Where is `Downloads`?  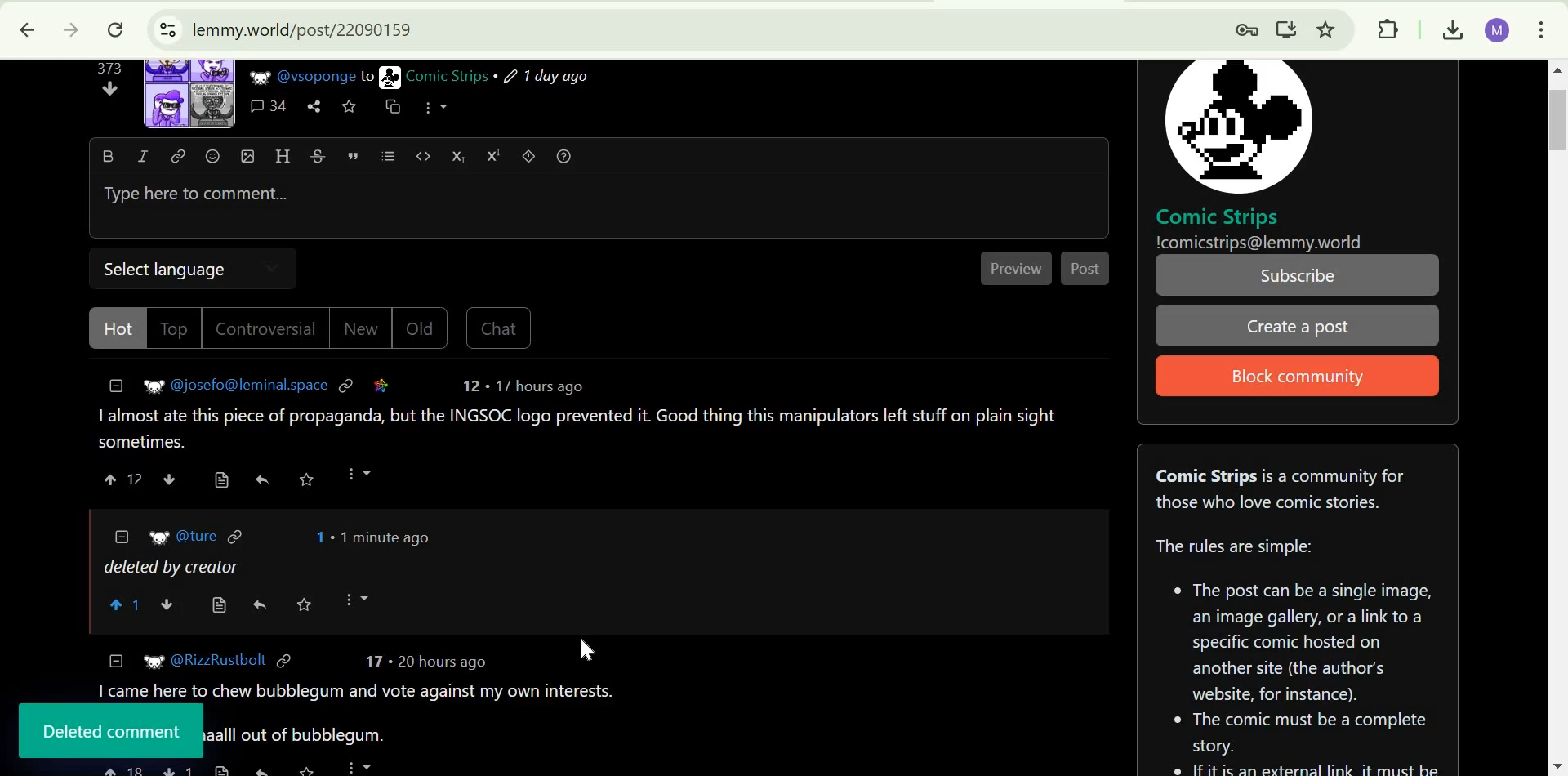 Downloads is located at coordinates (1449, 29).